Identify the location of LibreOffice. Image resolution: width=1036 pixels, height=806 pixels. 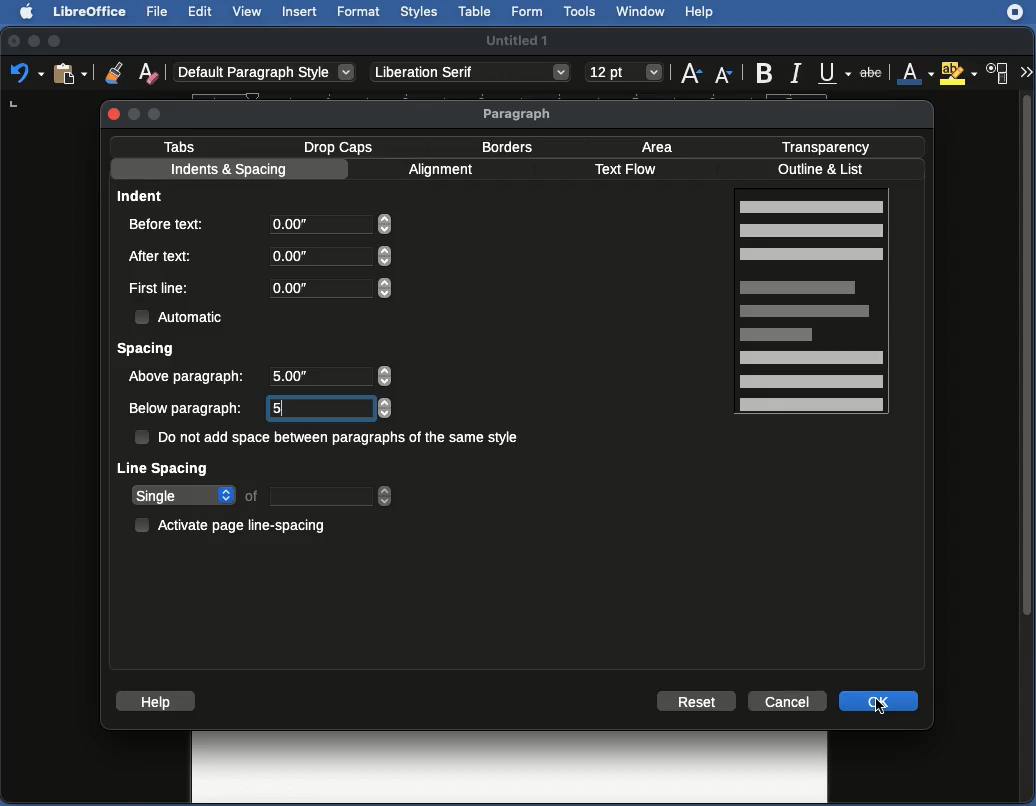
(87, 13).